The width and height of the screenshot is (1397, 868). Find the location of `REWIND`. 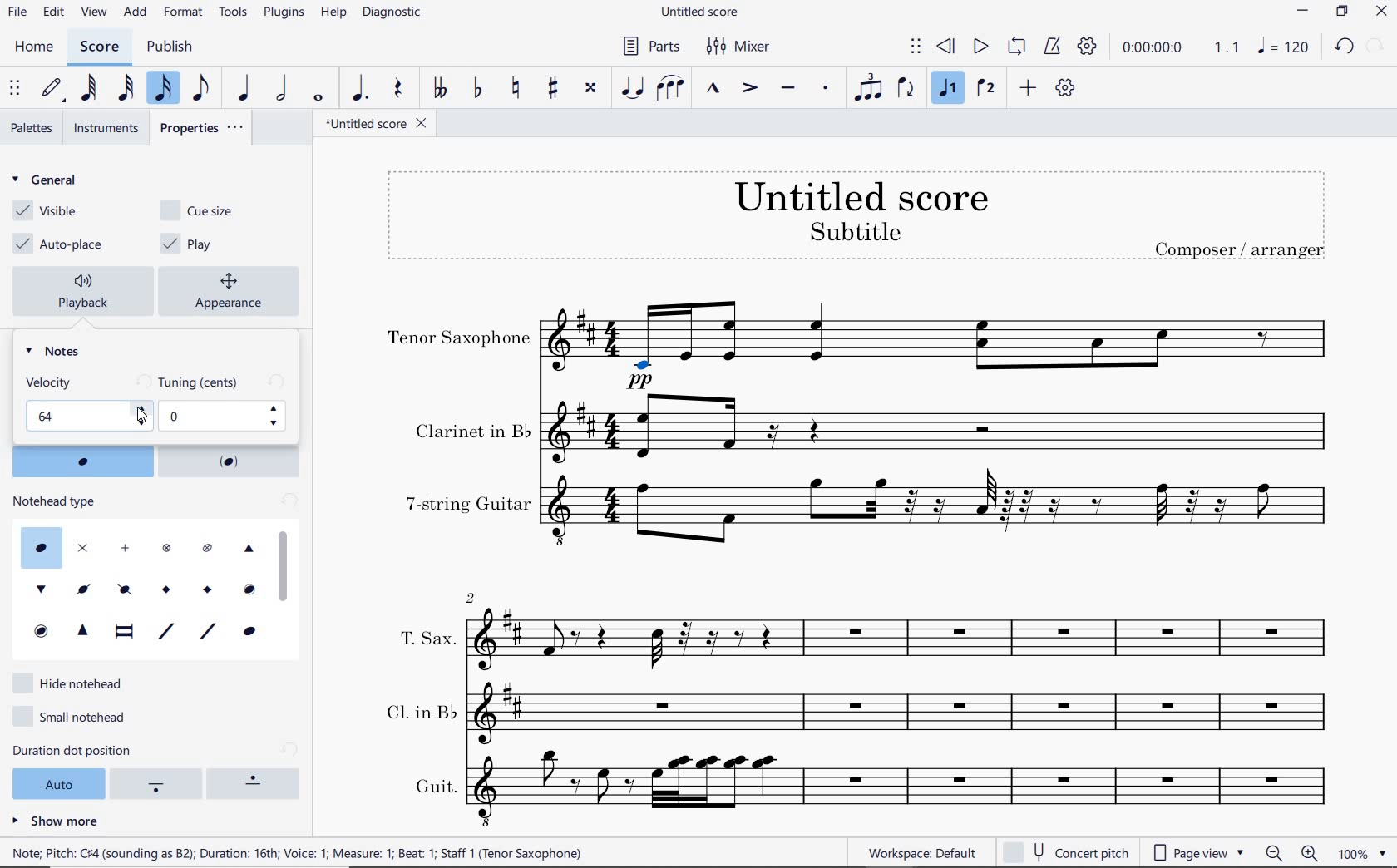

REWIND is located at coordinates (946, 47).